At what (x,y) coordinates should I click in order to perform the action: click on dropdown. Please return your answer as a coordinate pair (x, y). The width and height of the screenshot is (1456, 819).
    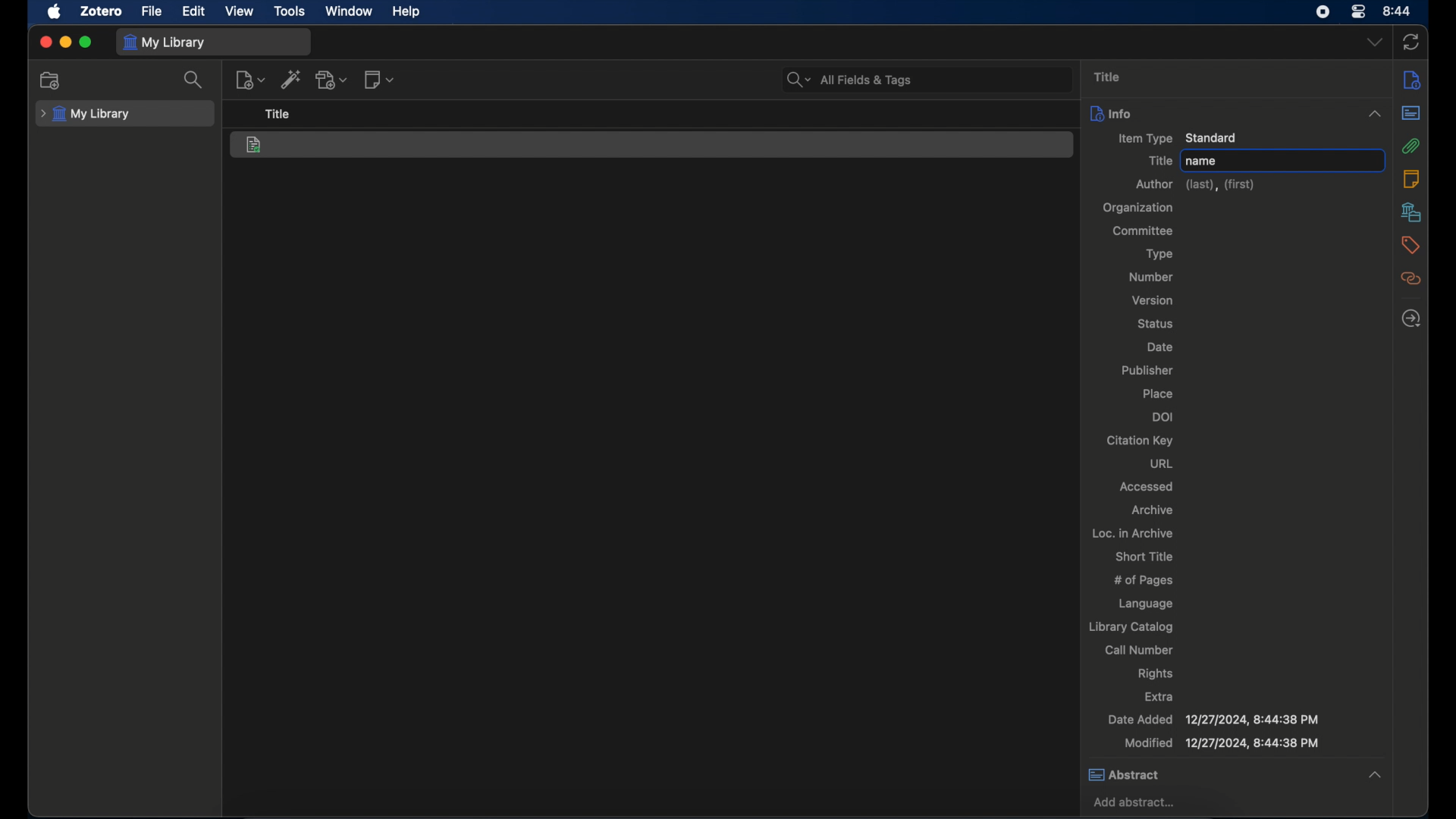
    Looking at the image, I should click on (1375, 42).